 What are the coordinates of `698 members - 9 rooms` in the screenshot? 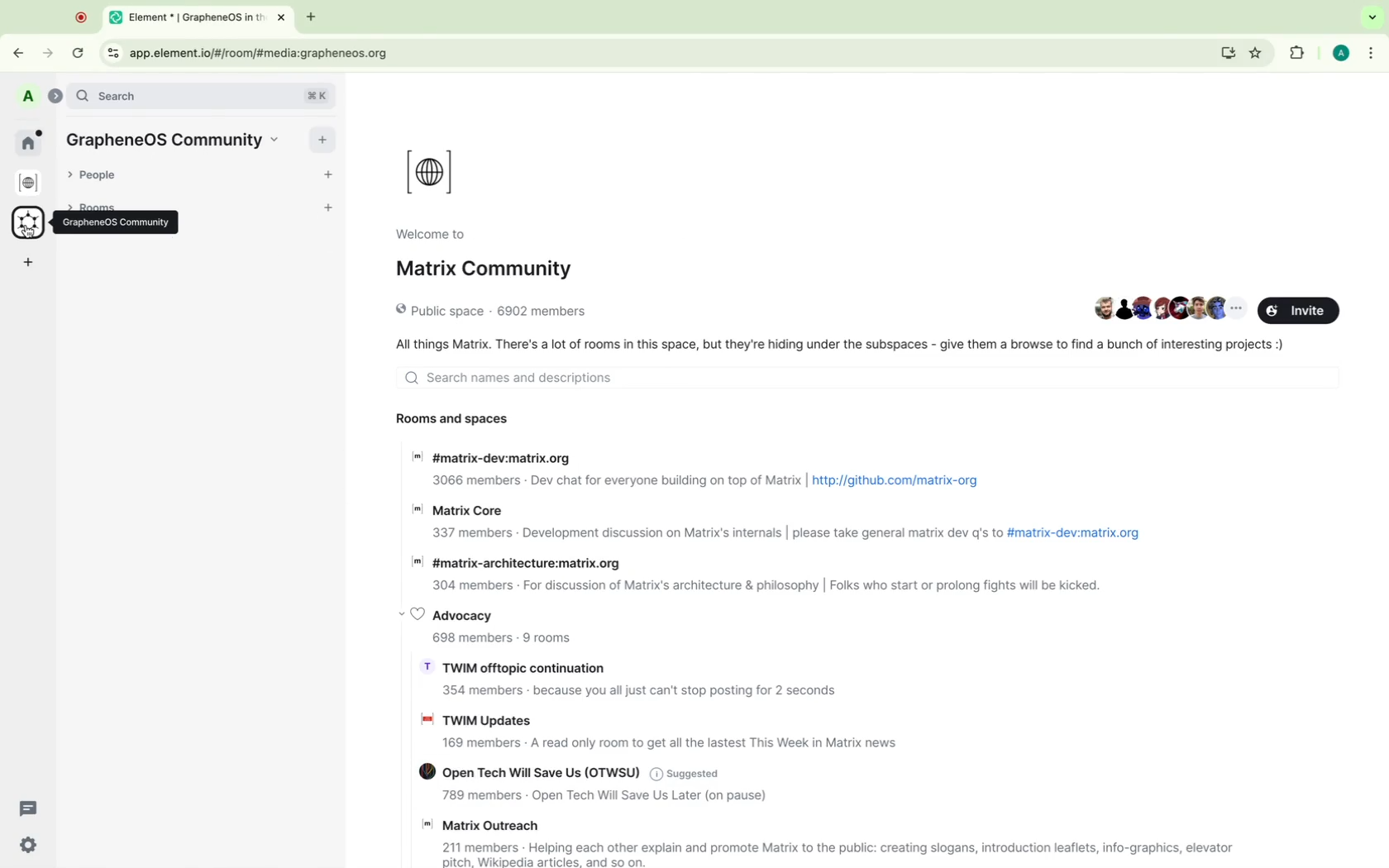 It's located at (501, 640).